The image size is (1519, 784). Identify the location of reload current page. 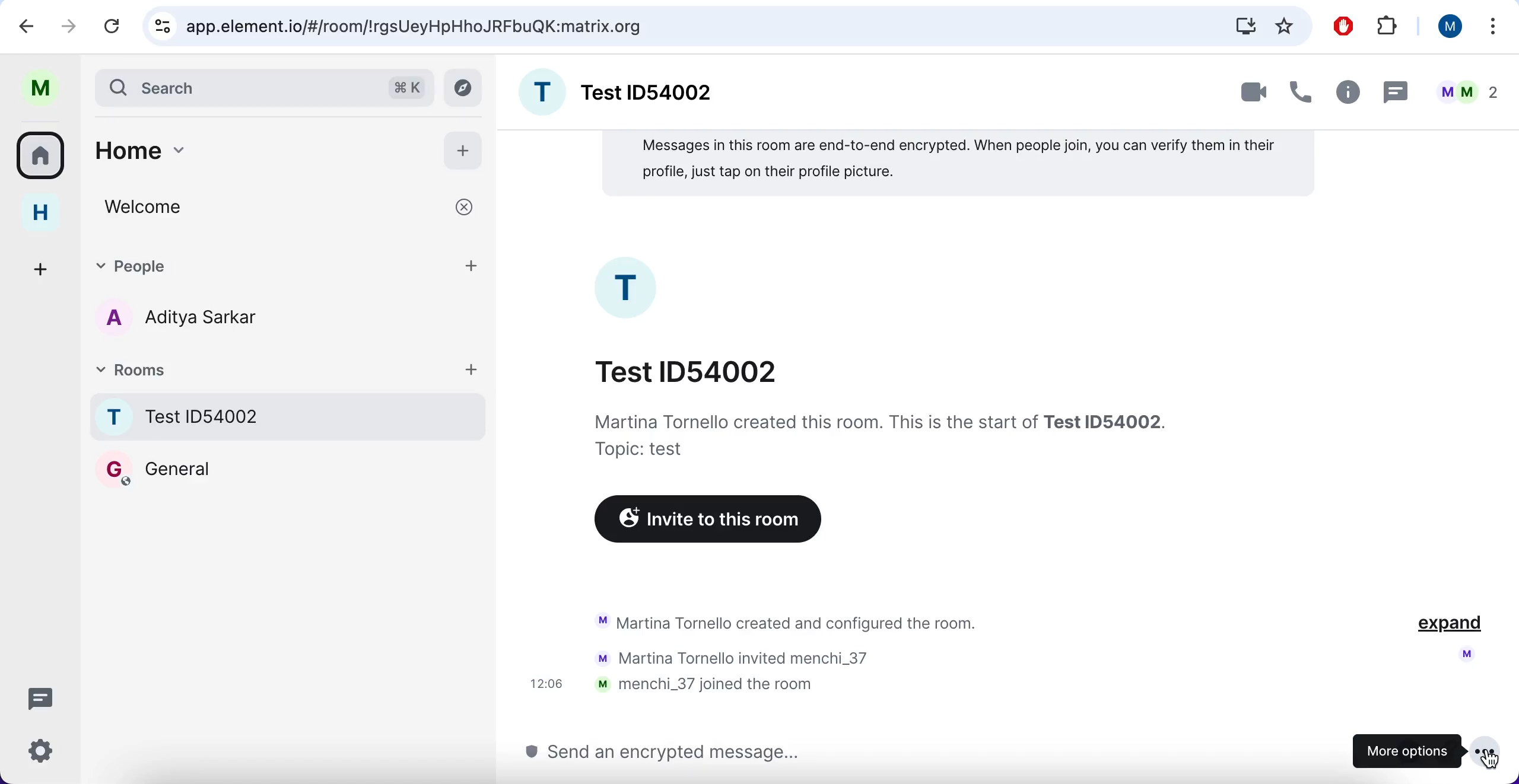
(114, 27).